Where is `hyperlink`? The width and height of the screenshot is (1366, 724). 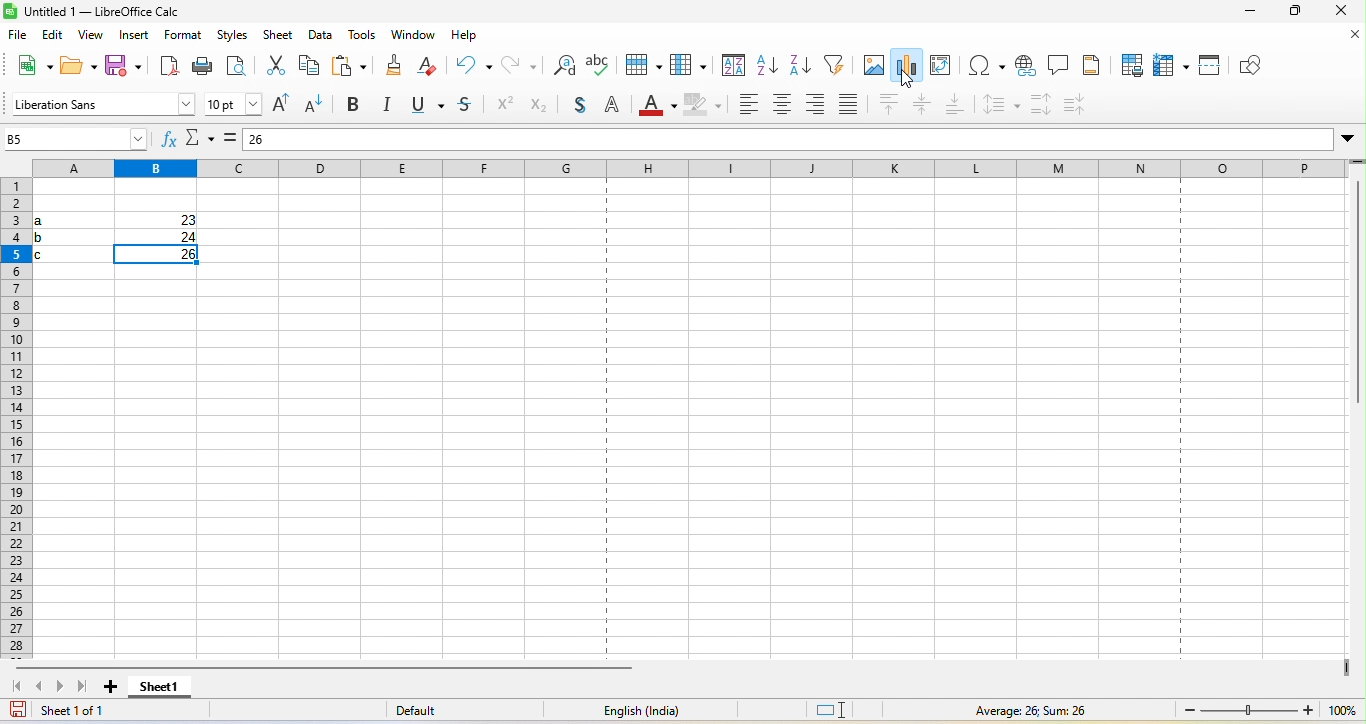 hyperlink is located at coordinates (1028, 68).